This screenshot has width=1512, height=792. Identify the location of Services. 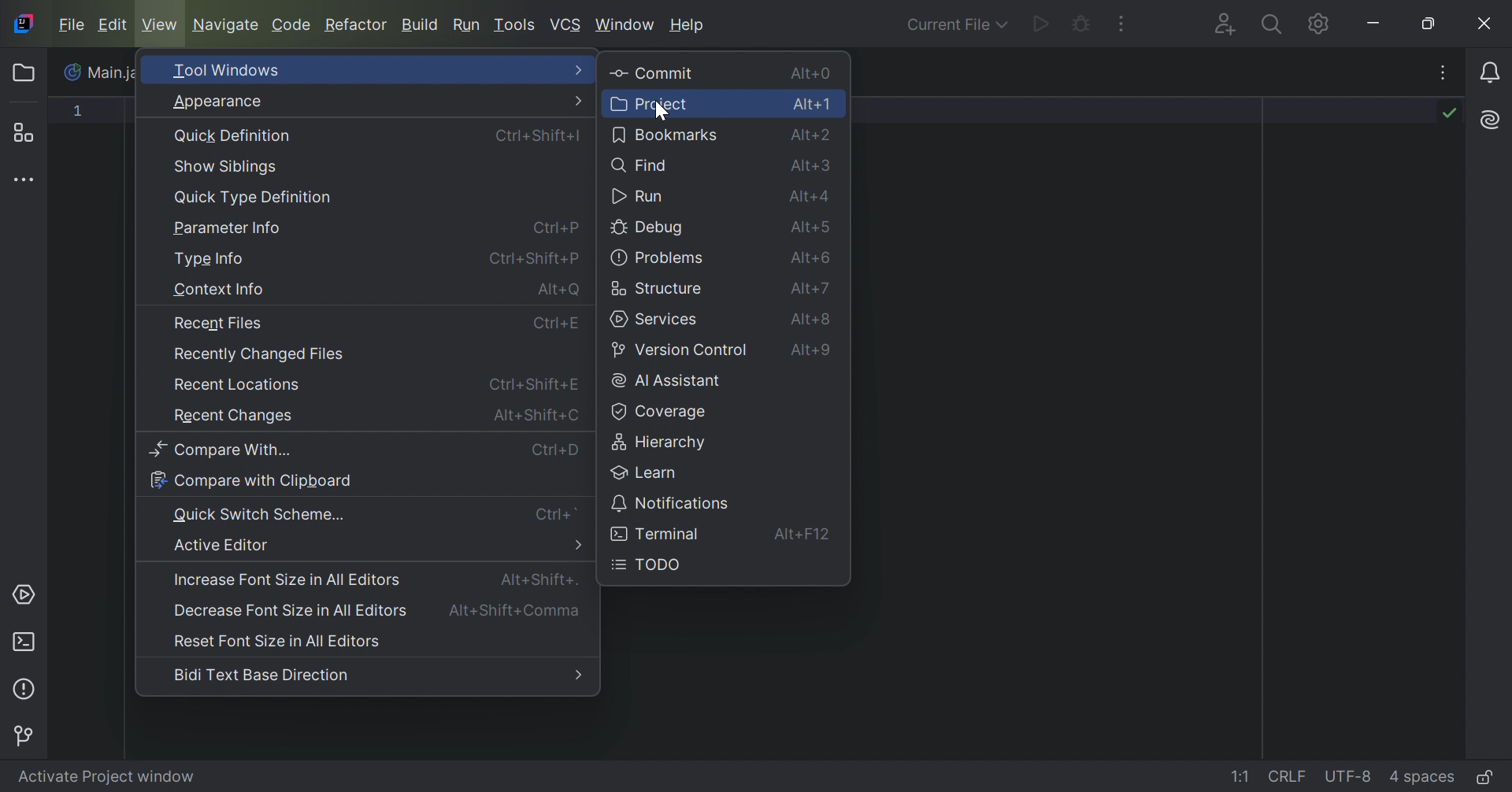
(26, 594).